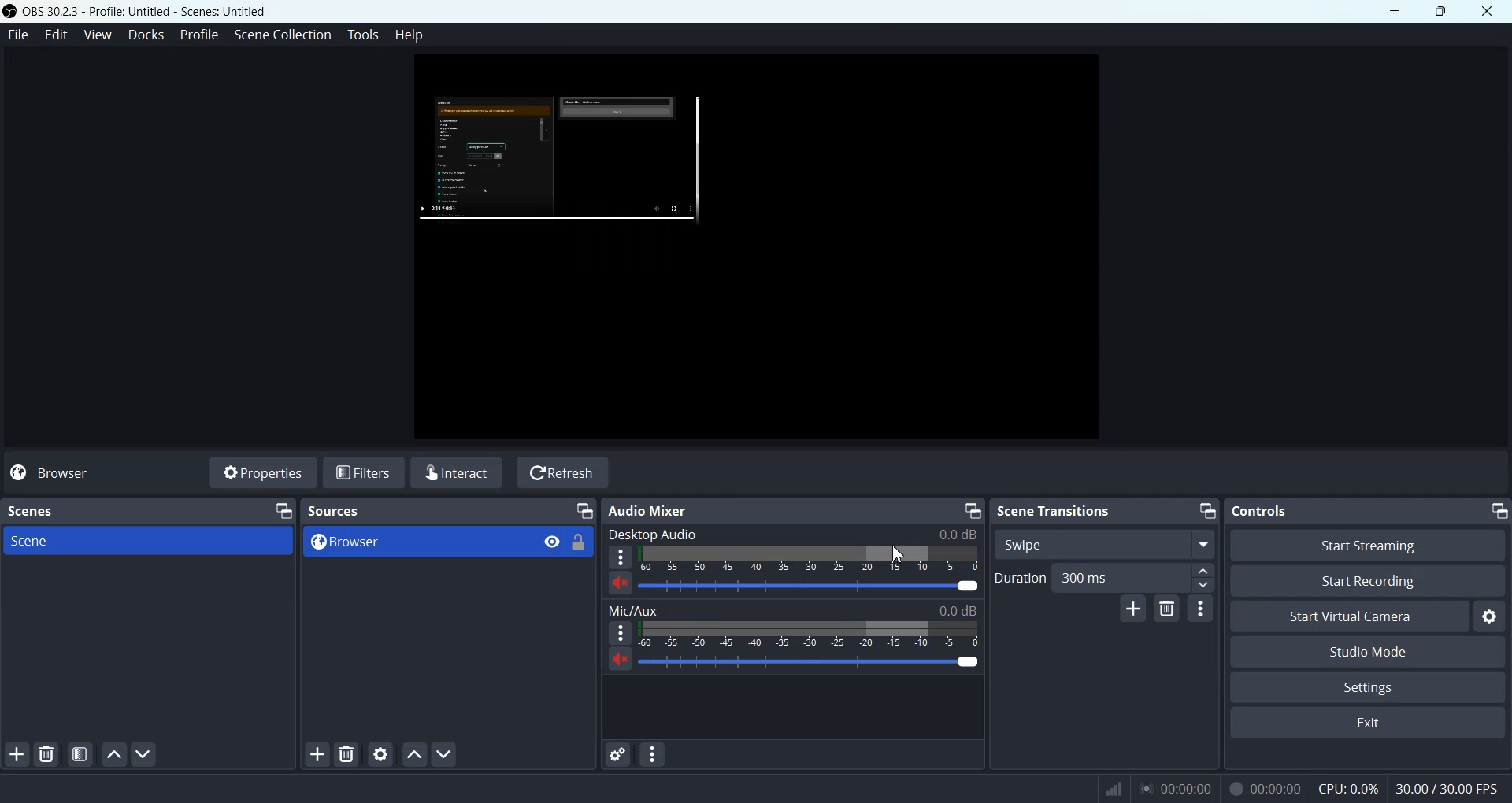 The image size is (1512, 803). What do you see at coordinates (1345, 787) in the screenshot?
I see `CPU: 0.0%` at bounding box center [1345, 787].